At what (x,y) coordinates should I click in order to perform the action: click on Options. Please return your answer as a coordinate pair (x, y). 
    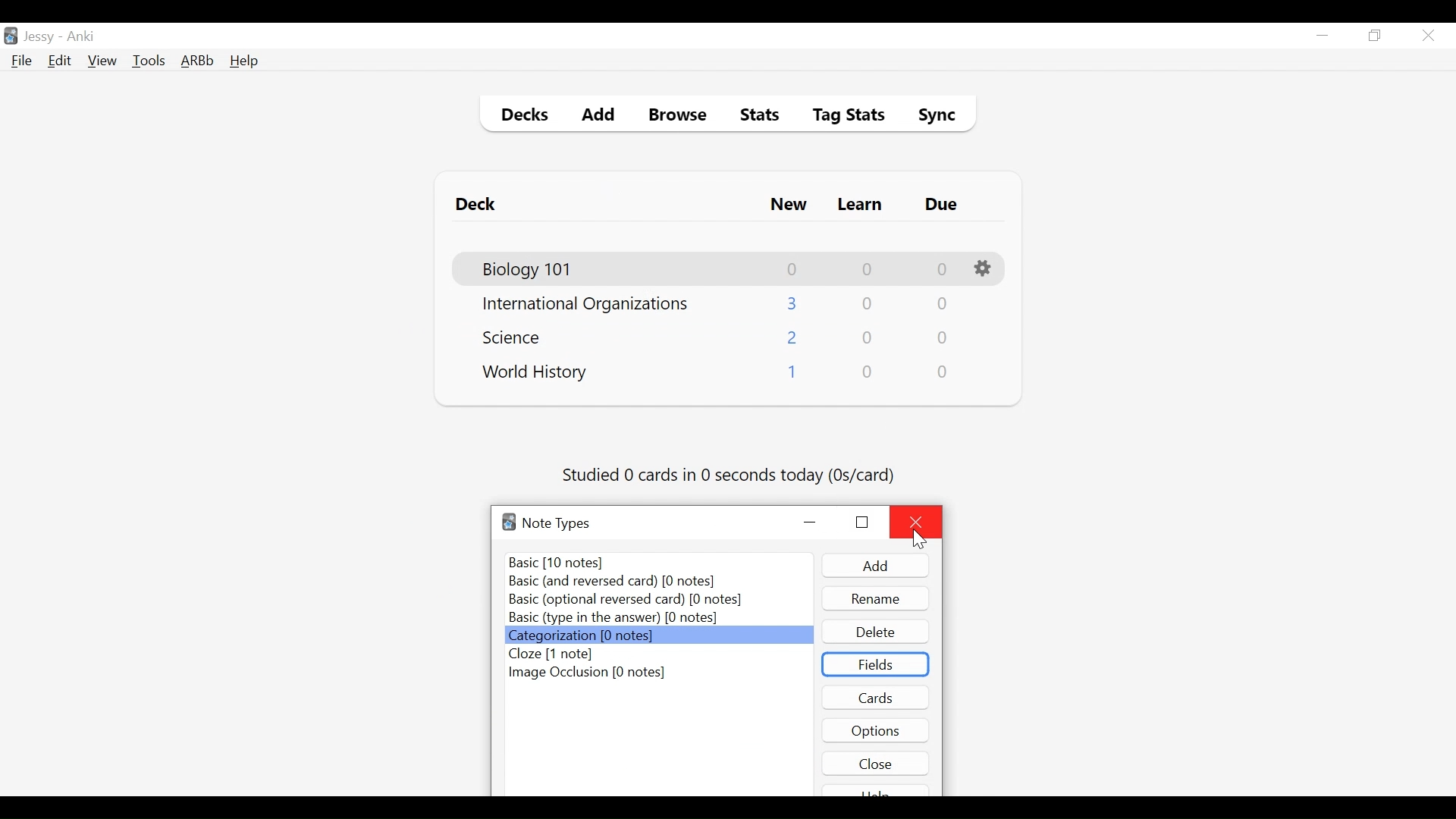
    Looking at the image, I should click on (876, 730).